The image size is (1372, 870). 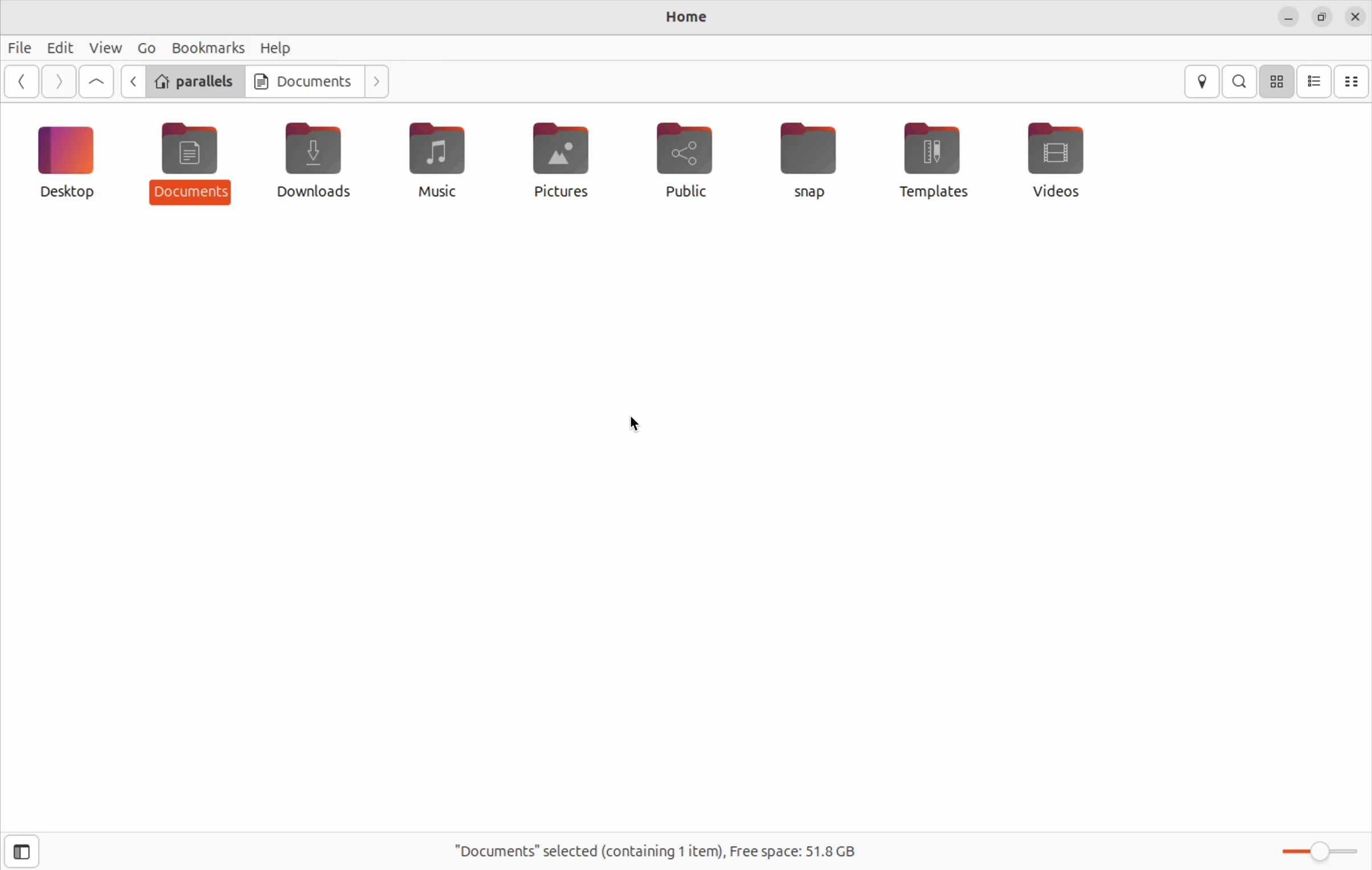 What do you see at coordinates (930, 162) in the screenshot?
I see `Templates` at bounding box center [930, 162].